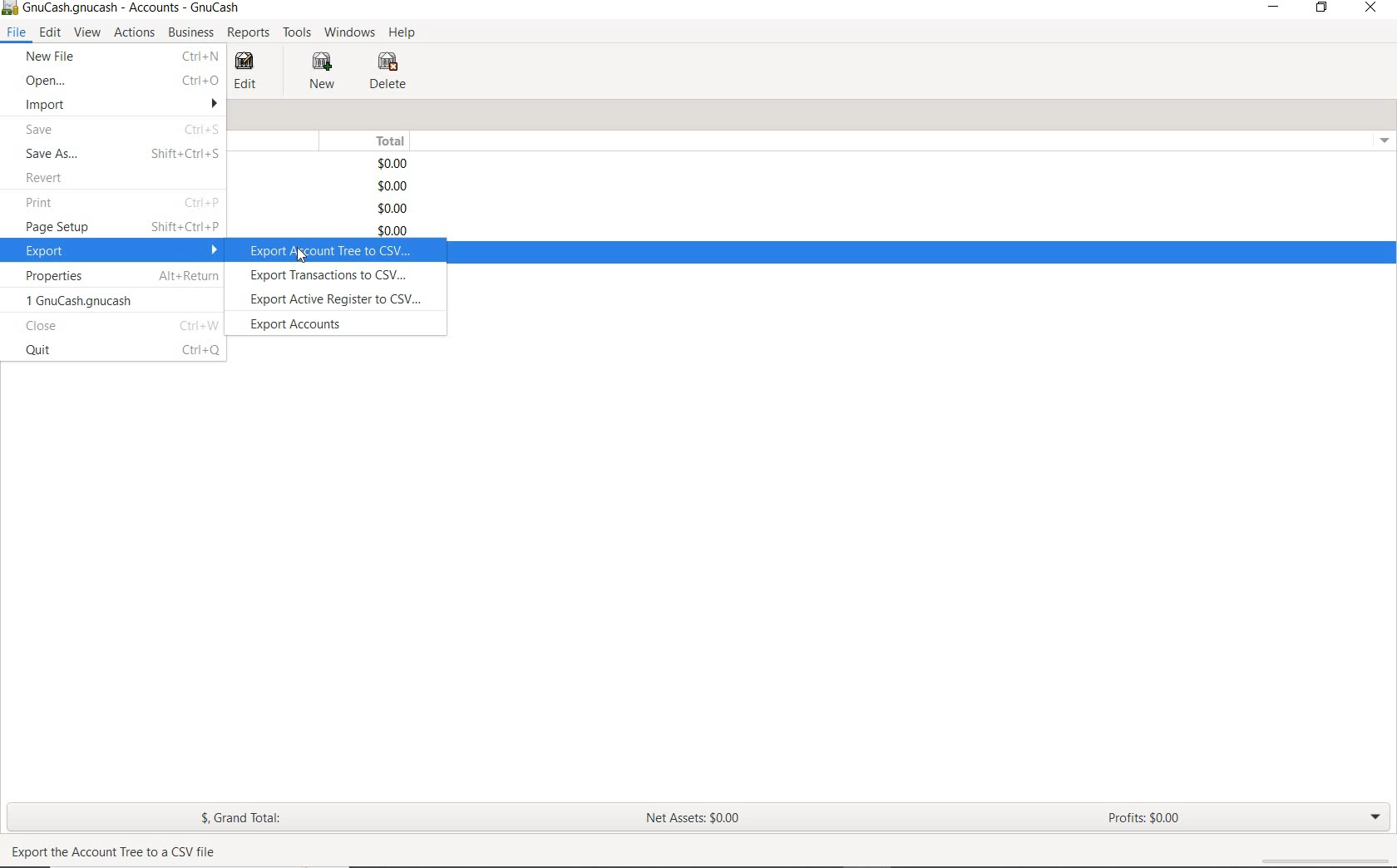 The image size is (1397, 868). I want to click on export transactions to csv, so click(343, 276).